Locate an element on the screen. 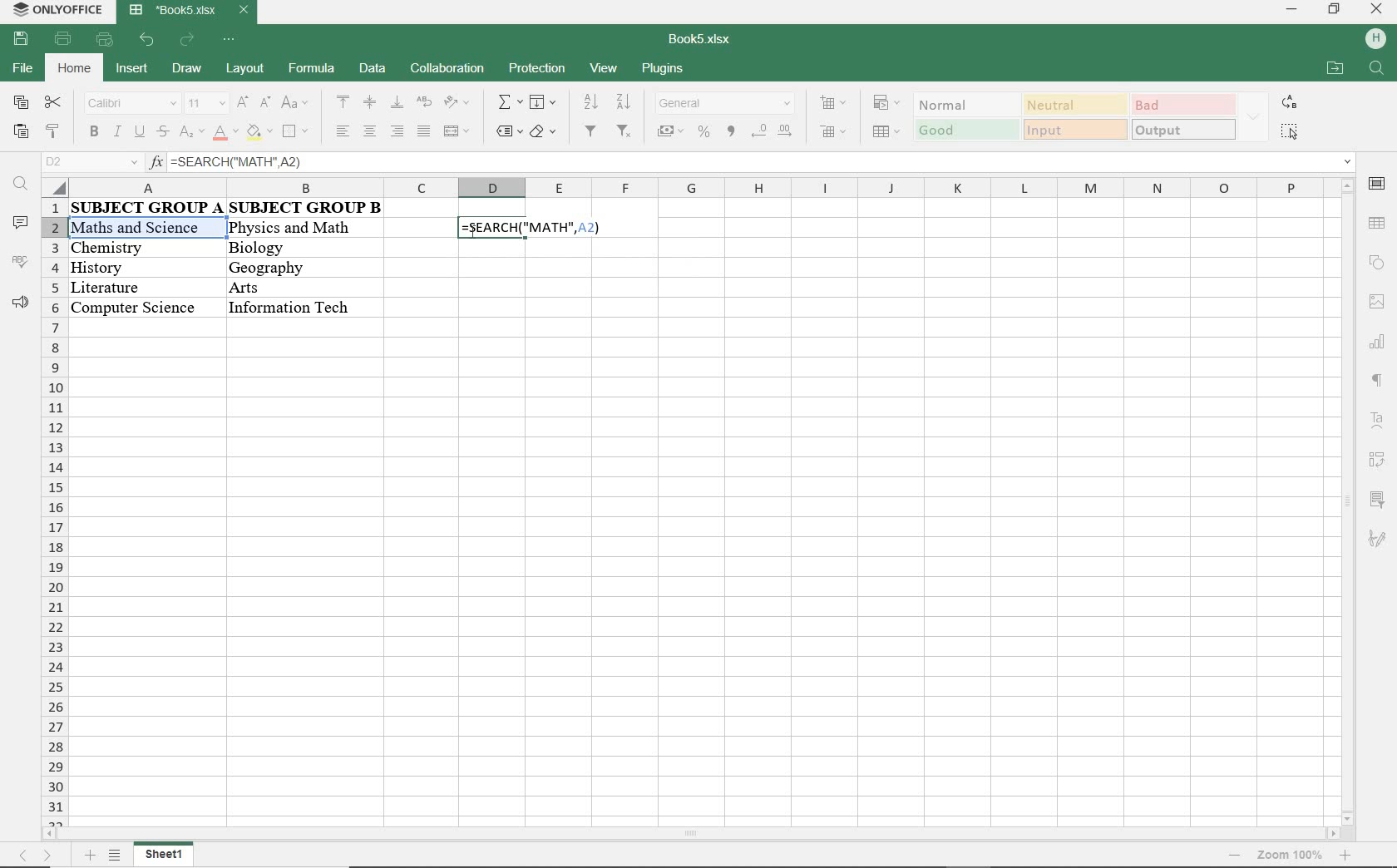 The height and width of the screenshot is (868, 1397). decrement font size is located at coordinates (264, 102).